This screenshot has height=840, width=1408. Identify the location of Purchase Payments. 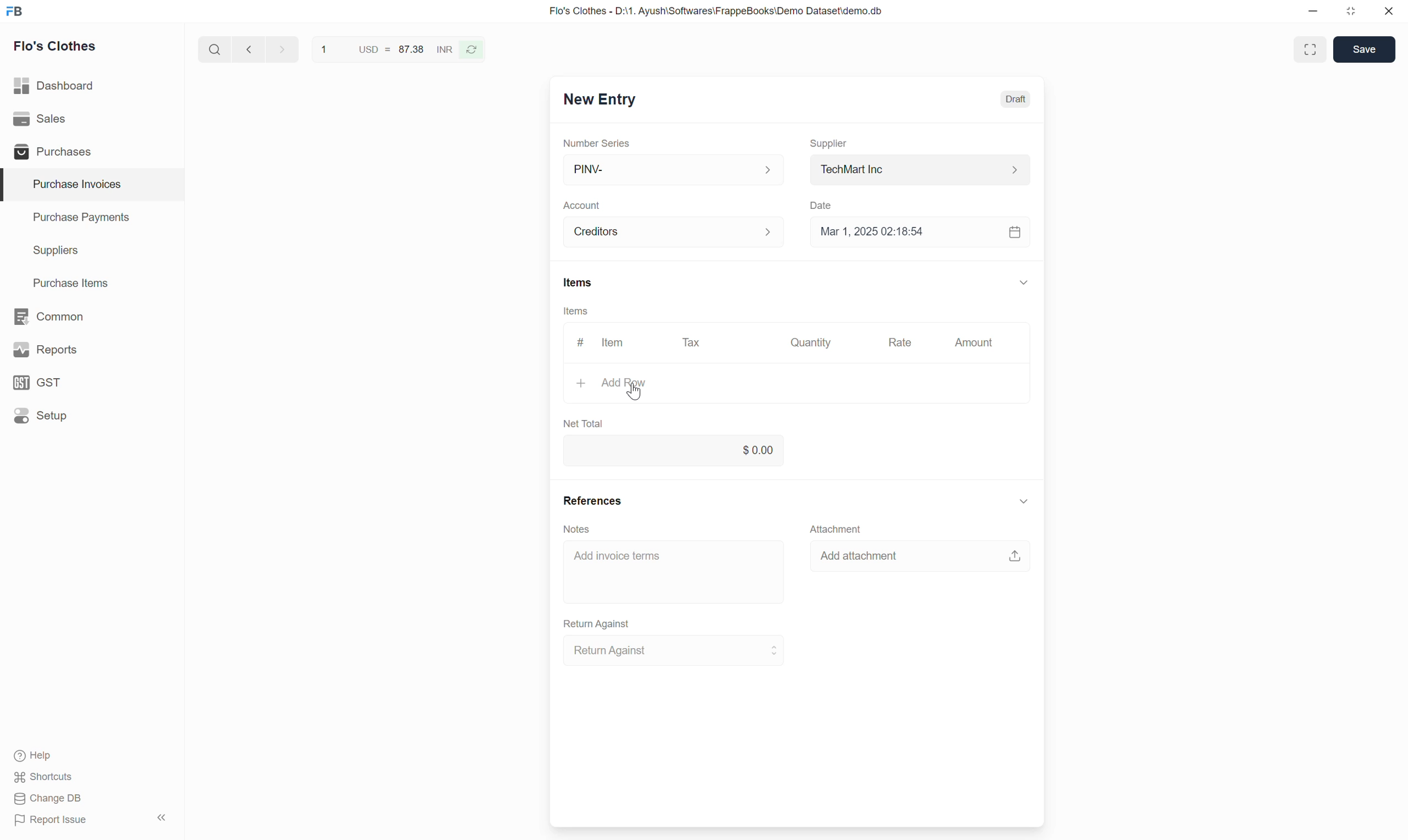
(92, 218).